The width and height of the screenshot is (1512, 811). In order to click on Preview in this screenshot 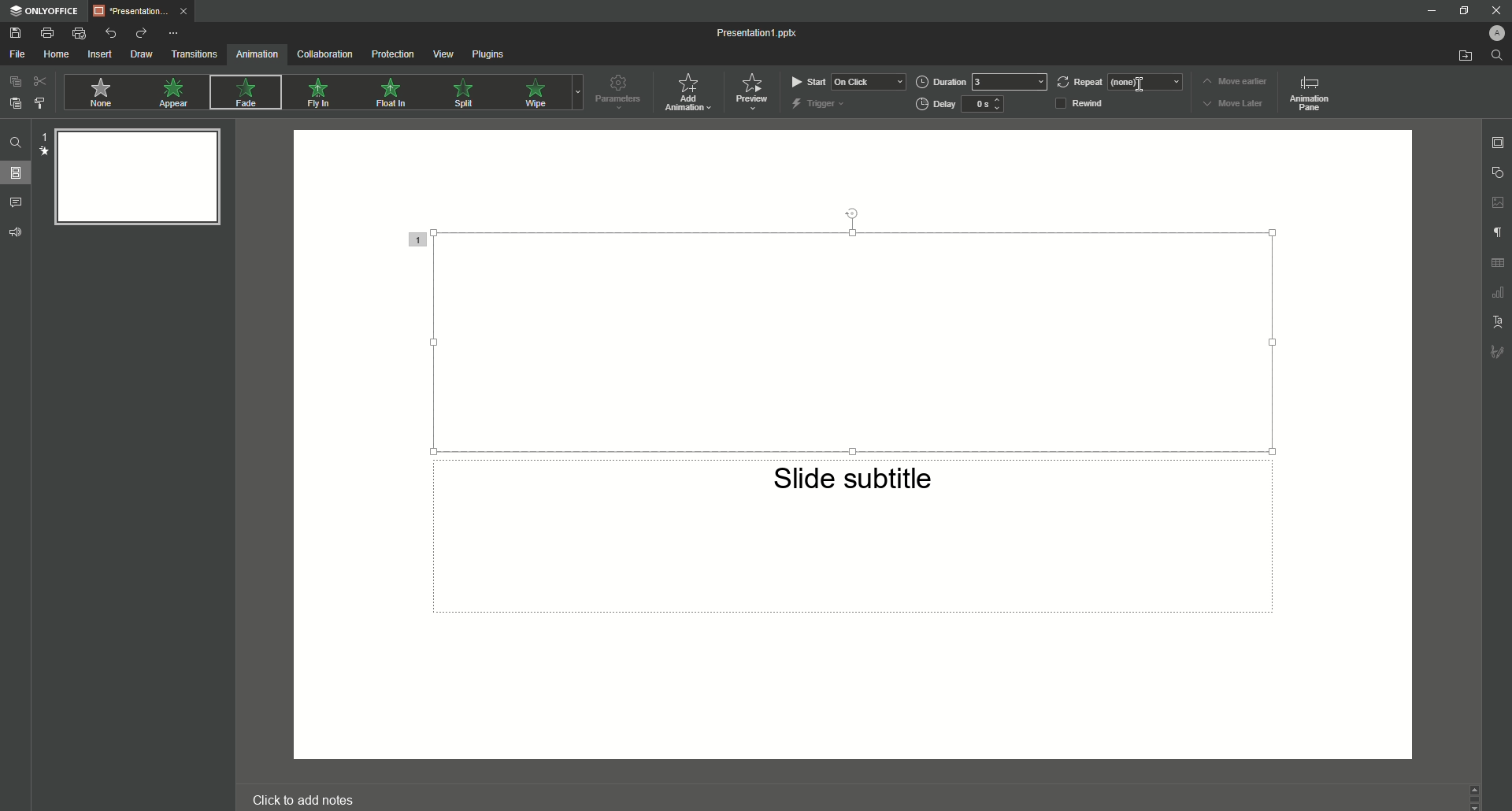, I will do `click(751, 91)`.